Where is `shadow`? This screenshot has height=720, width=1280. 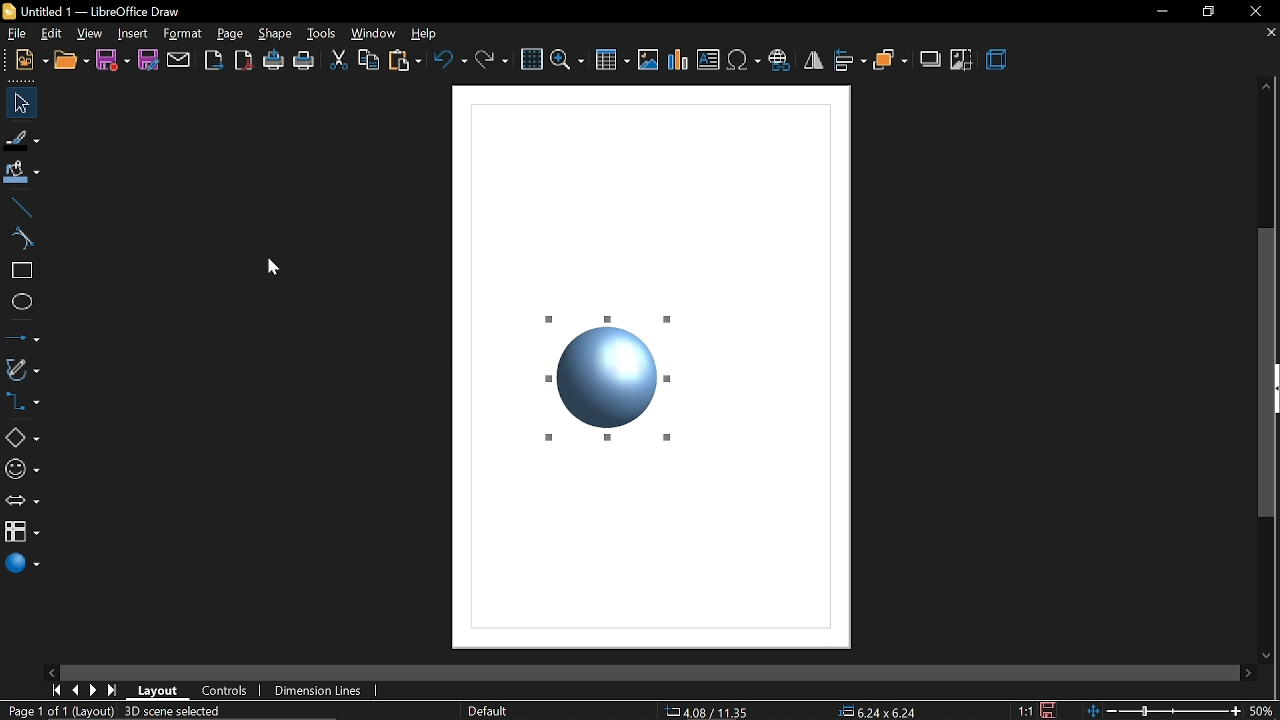
shadow is located at coordinates (930, 61).